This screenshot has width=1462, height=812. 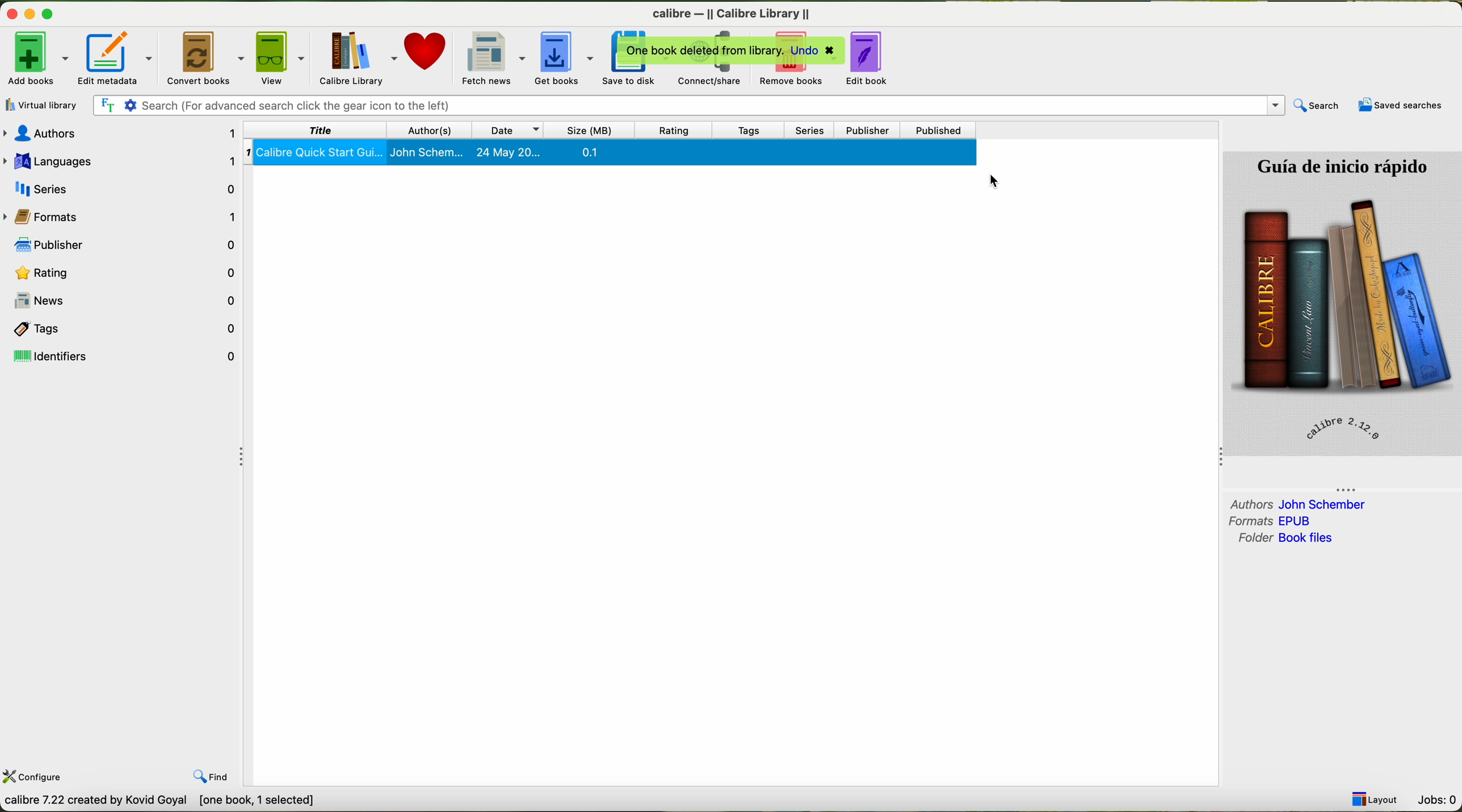 I want to click on view, so click(x=279, y=58).